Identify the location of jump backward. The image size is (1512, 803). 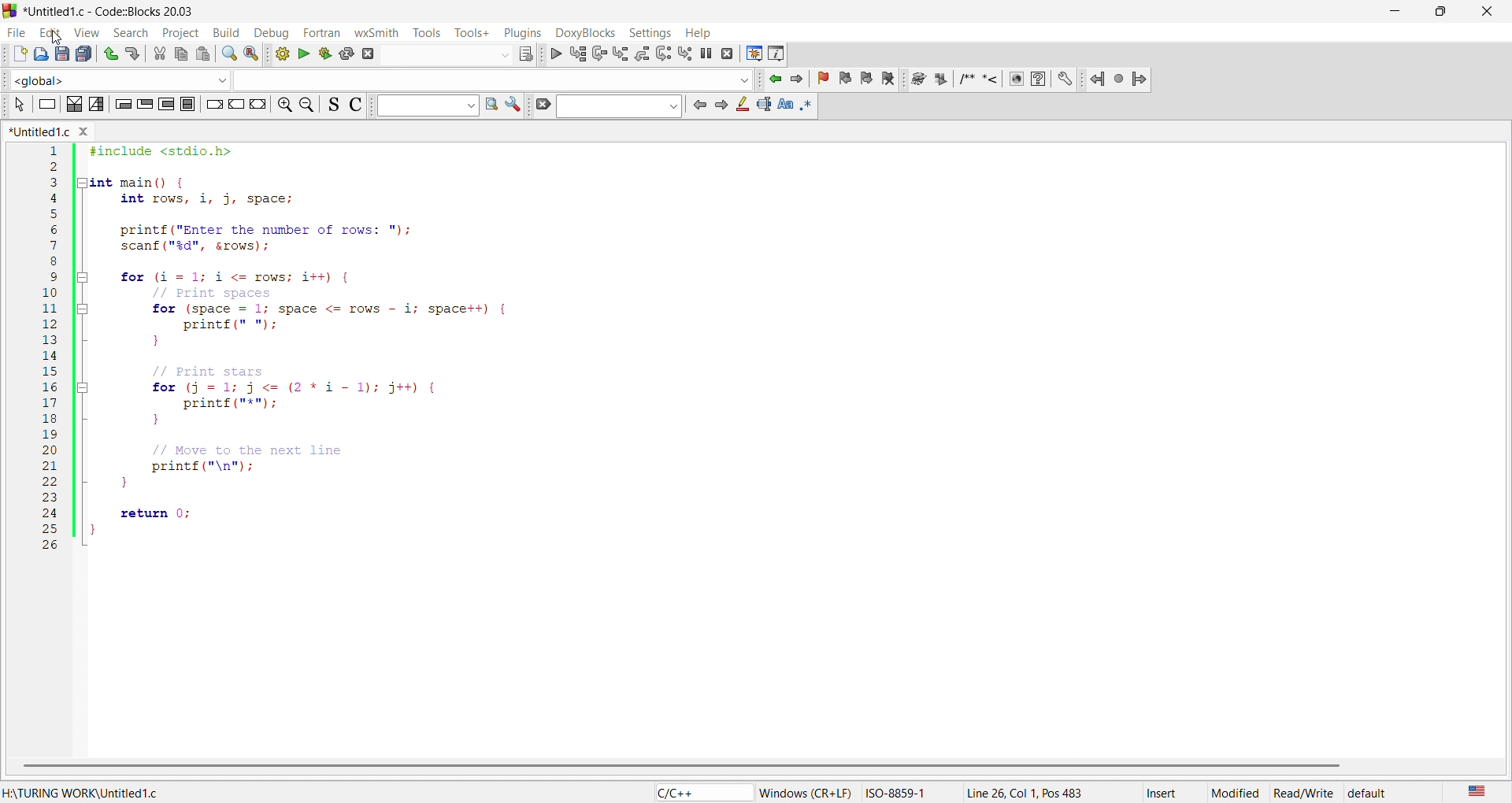
(774, 81).